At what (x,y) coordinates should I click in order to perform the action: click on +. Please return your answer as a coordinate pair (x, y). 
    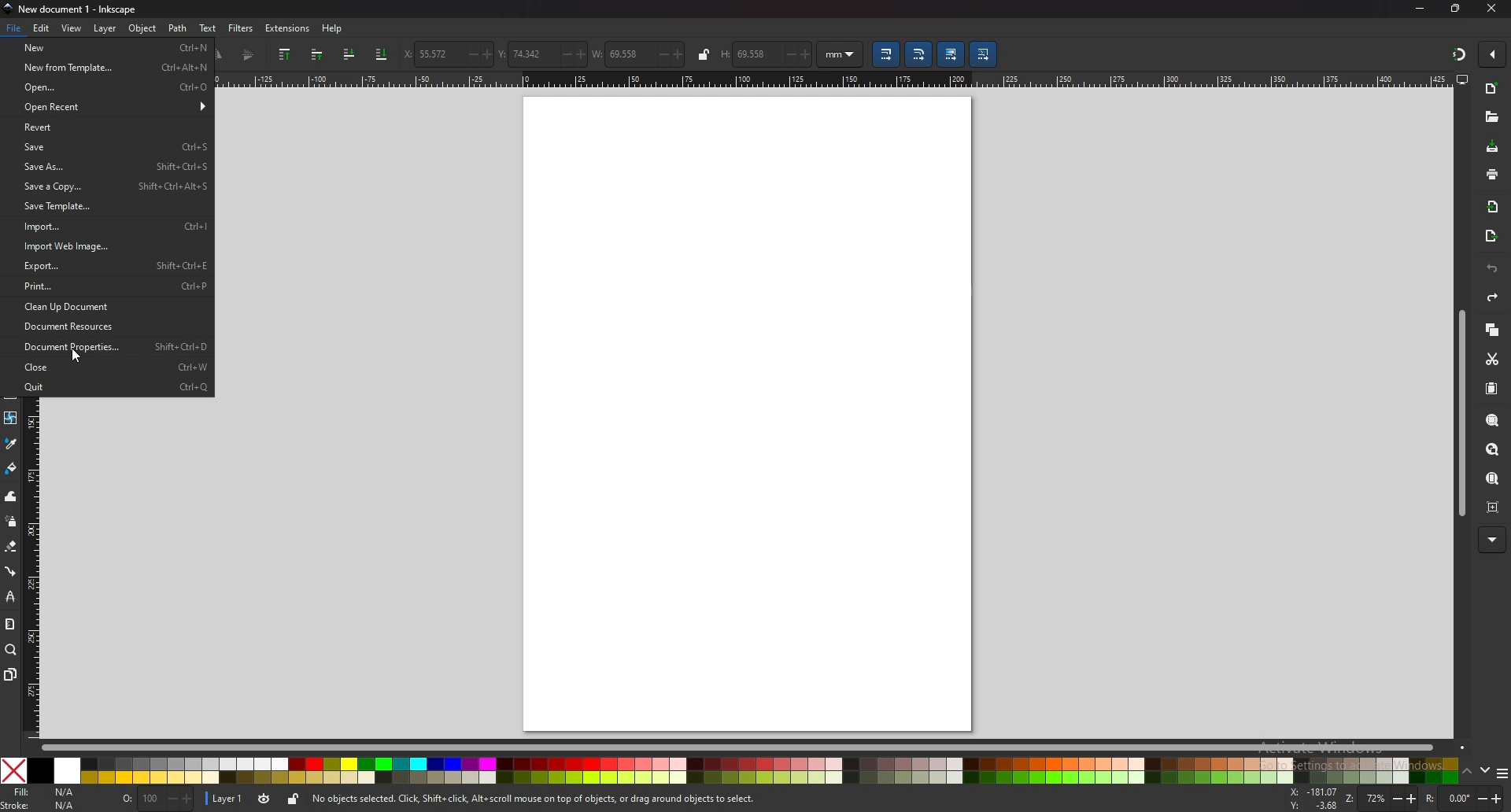
    Looking at the image, I should click on (486, 55).